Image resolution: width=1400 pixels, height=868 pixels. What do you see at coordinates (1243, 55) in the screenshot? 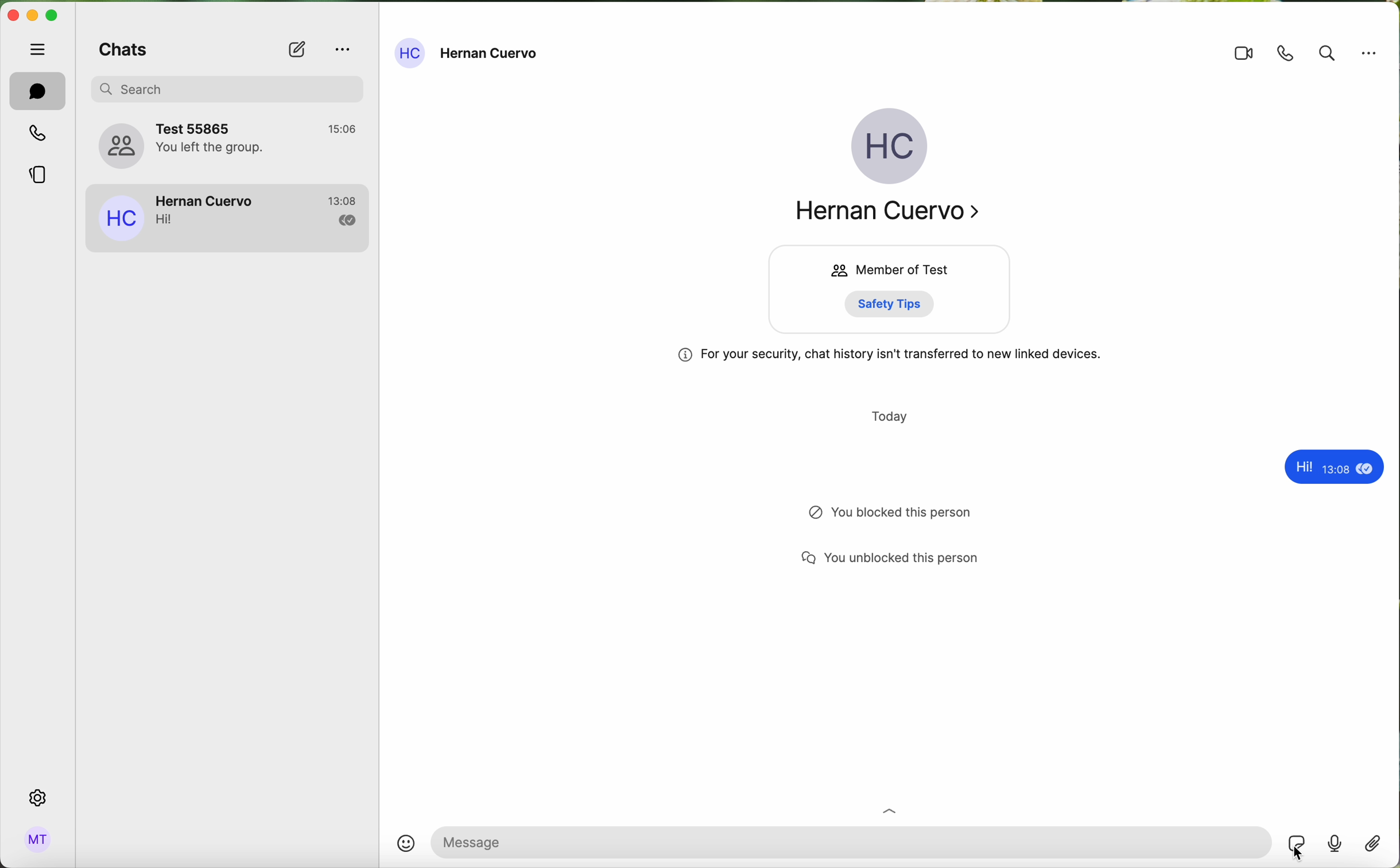
I see `videocall` at bounding box center [1243, 55].